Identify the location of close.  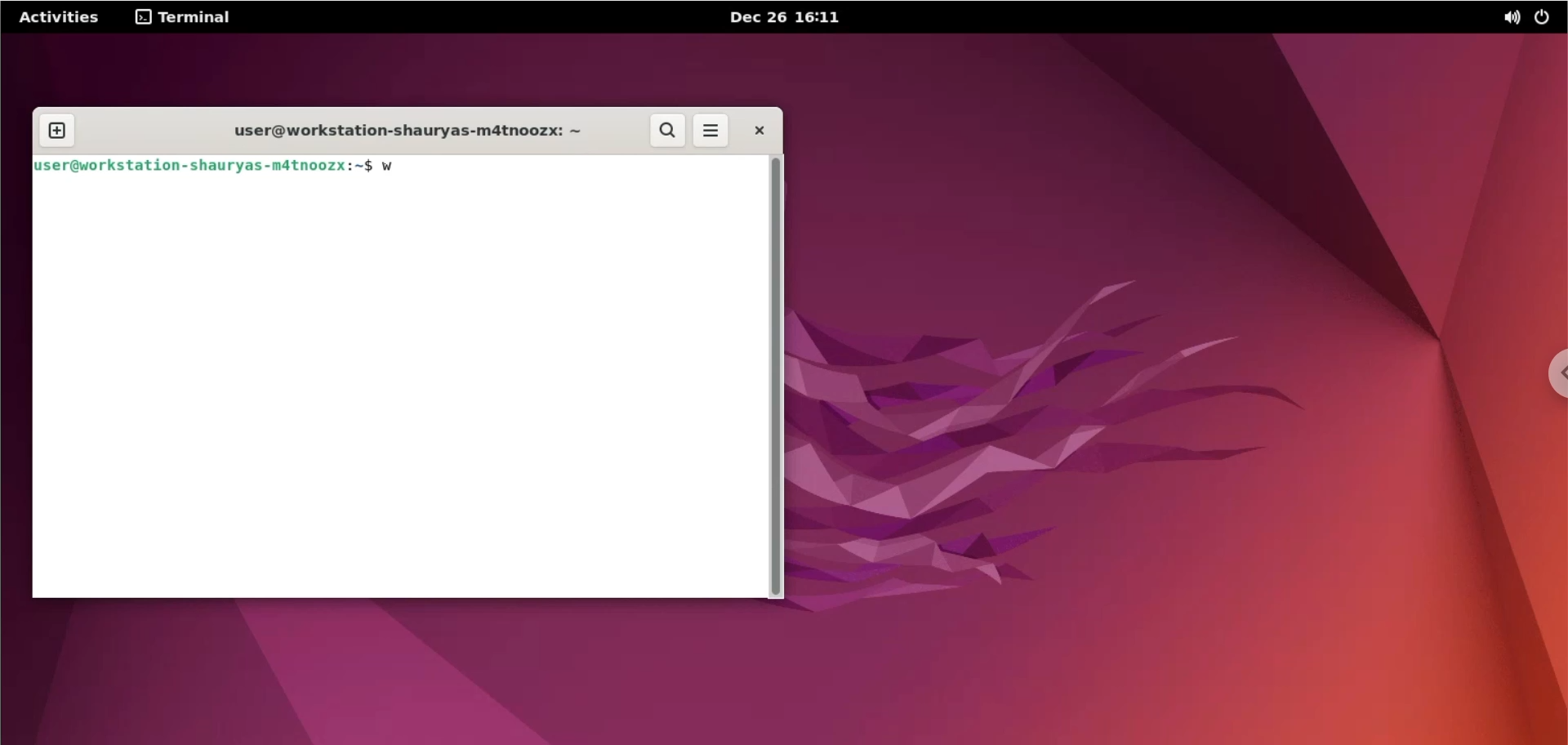
(764, 131).